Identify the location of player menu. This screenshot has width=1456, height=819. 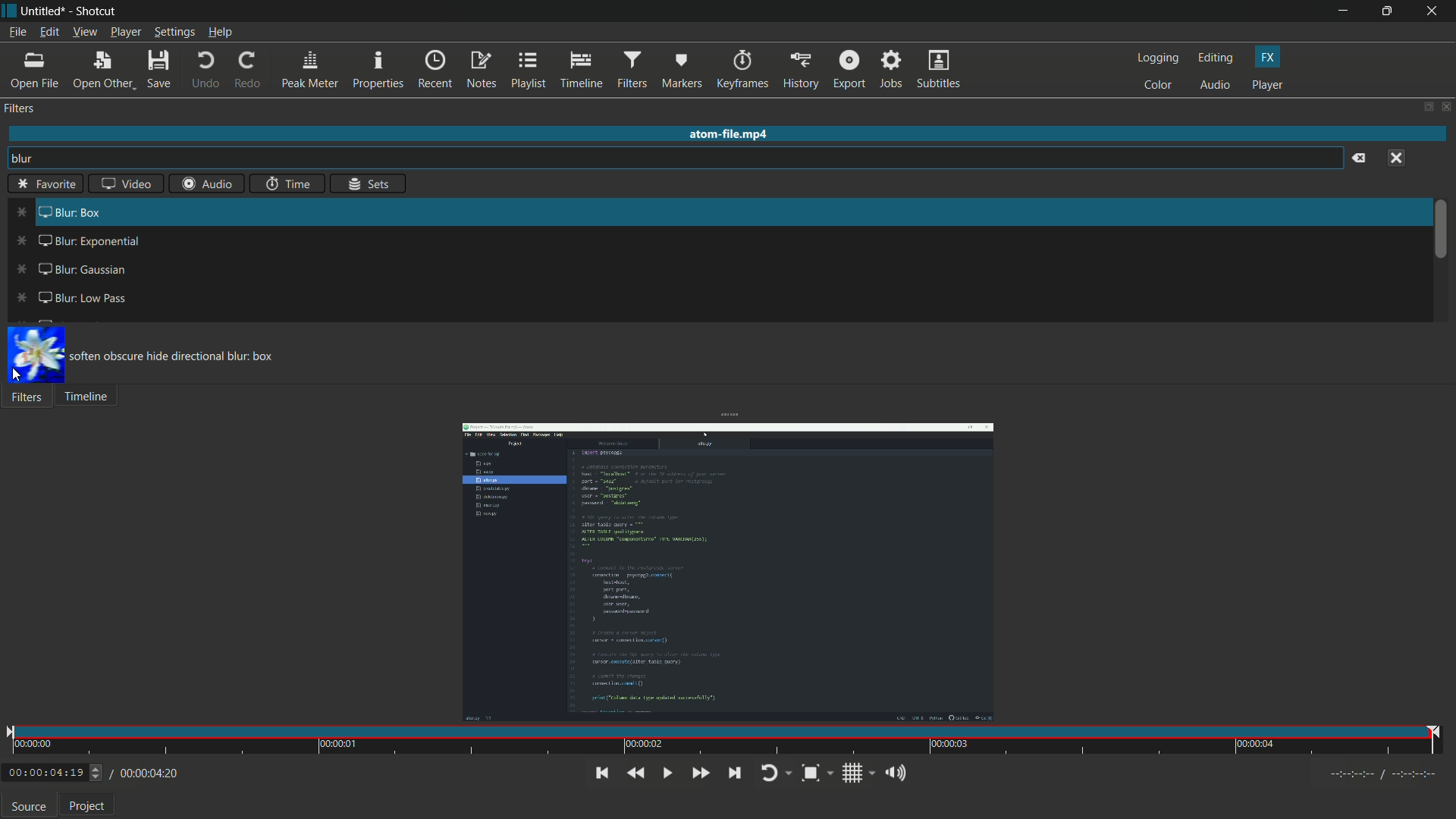
(127, 33).